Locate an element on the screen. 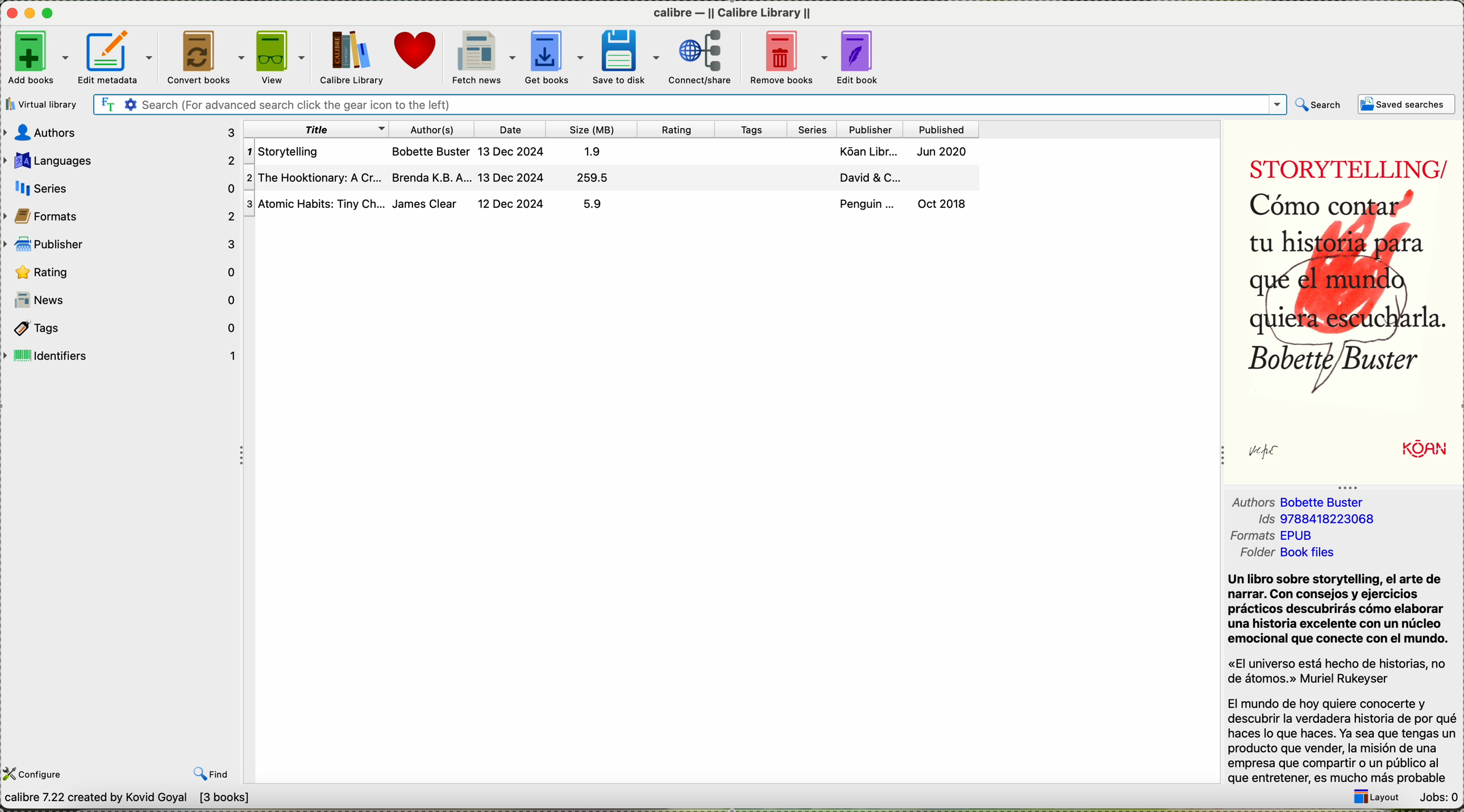 The image size is (1464, 812). Penguin is located at coordinates (867, 203).